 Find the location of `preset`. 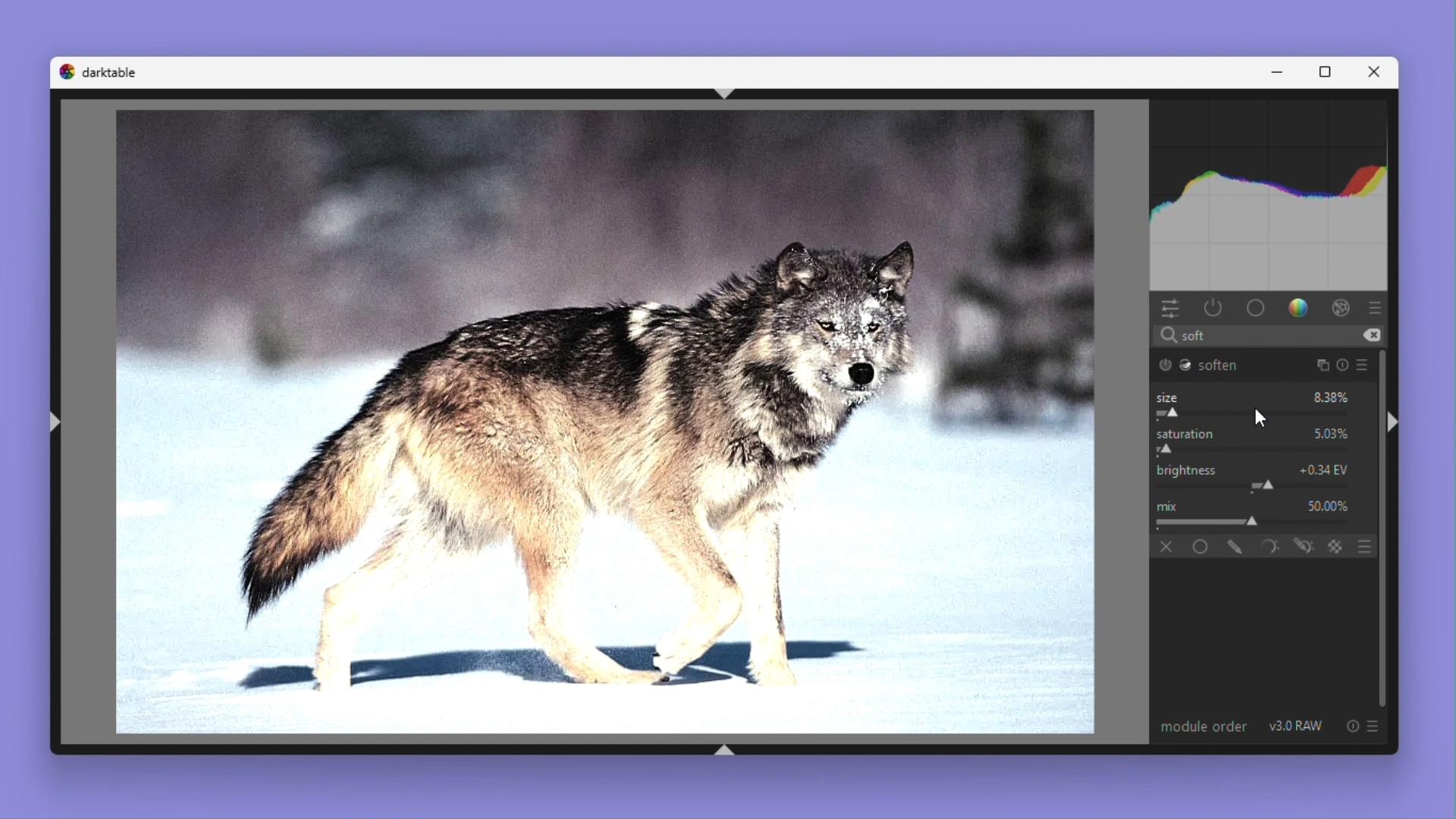

preset is located at coordinates (1376, 307).